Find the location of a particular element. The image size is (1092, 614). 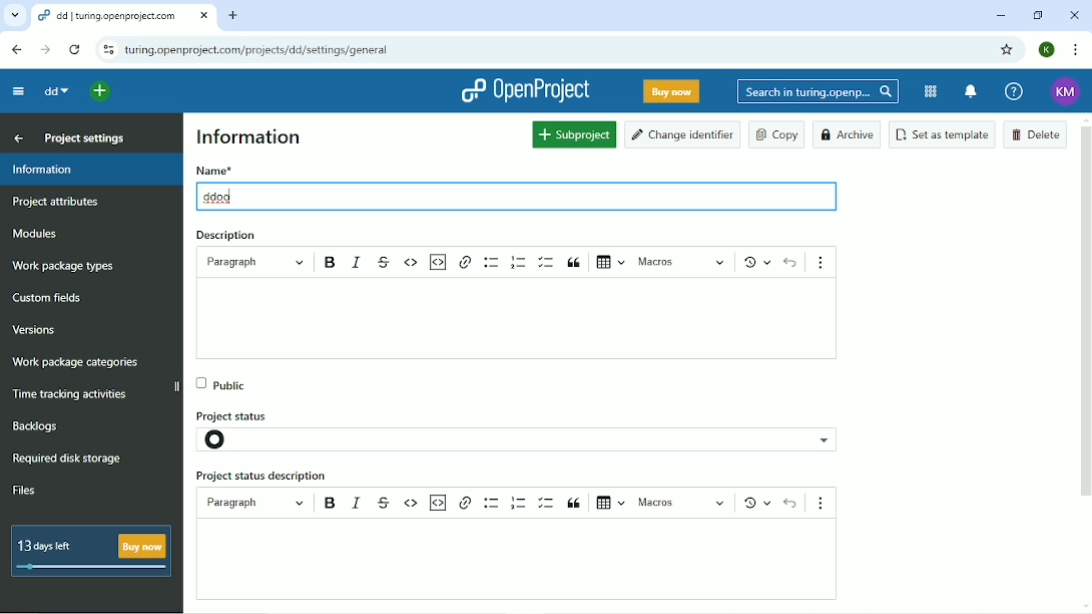

macros is located at coordinates (683, 502).